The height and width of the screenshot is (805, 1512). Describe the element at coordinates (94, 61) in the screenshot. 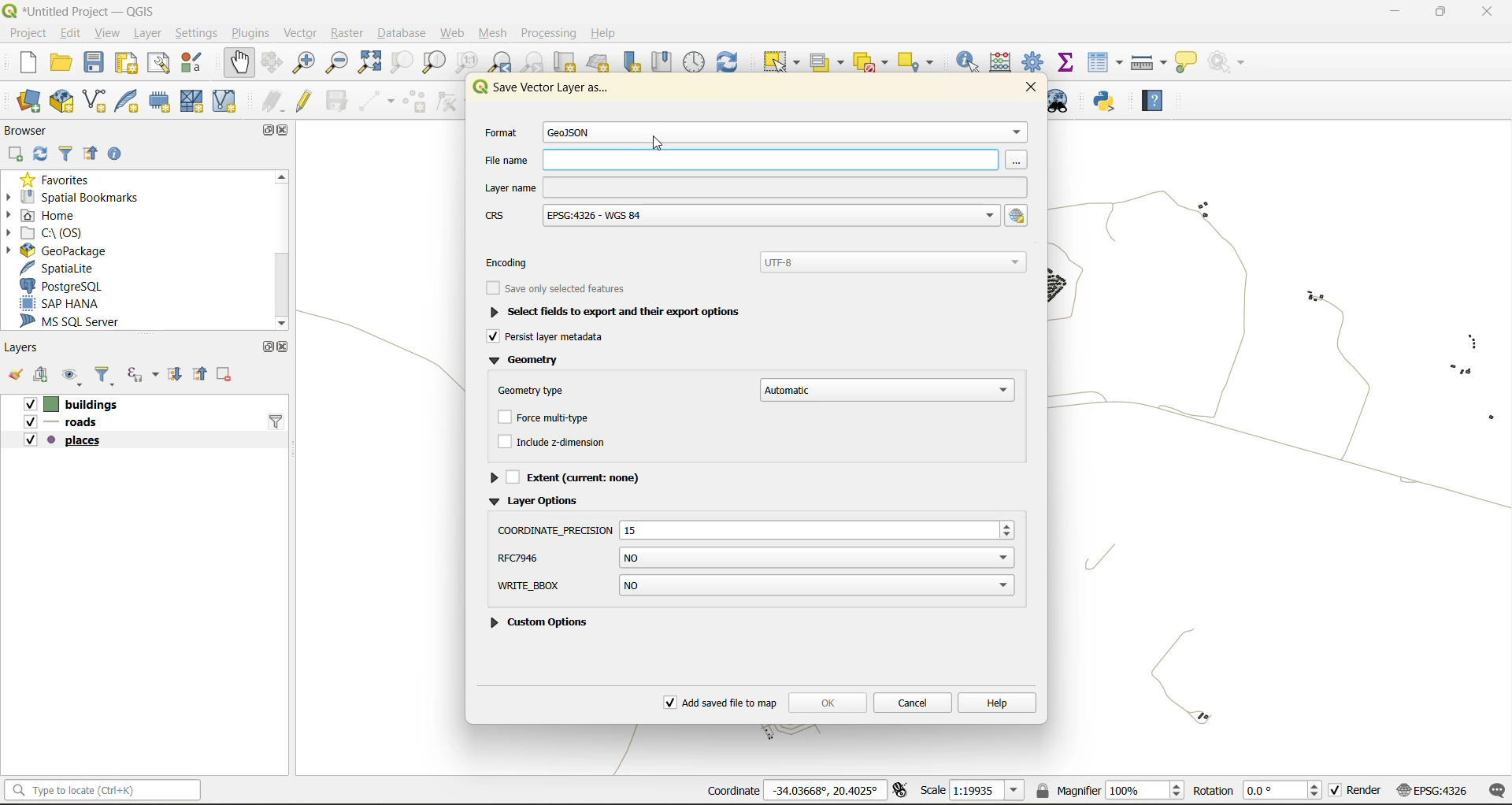

I see `save` at that location.